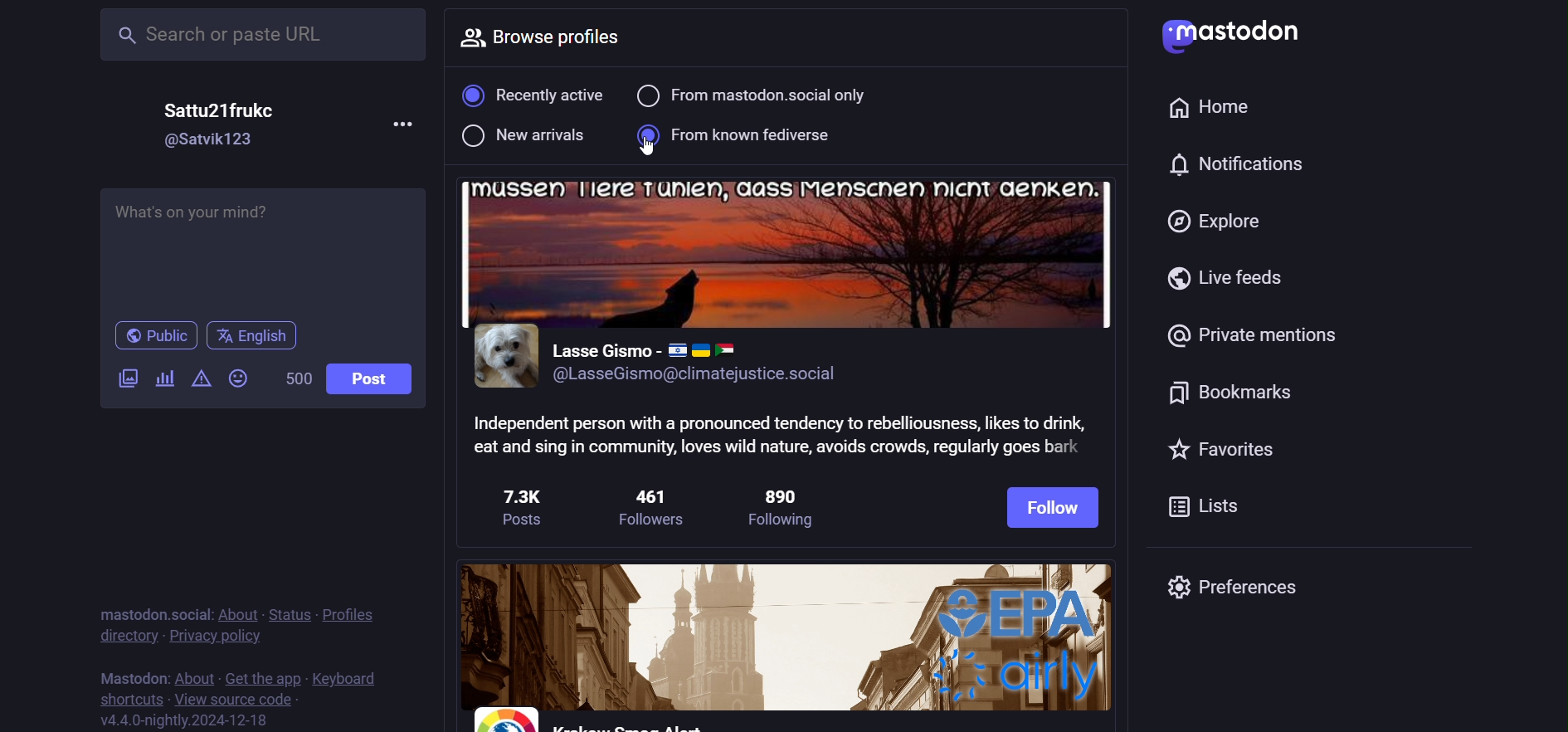  I want to click on notification, so click(1243, 160).